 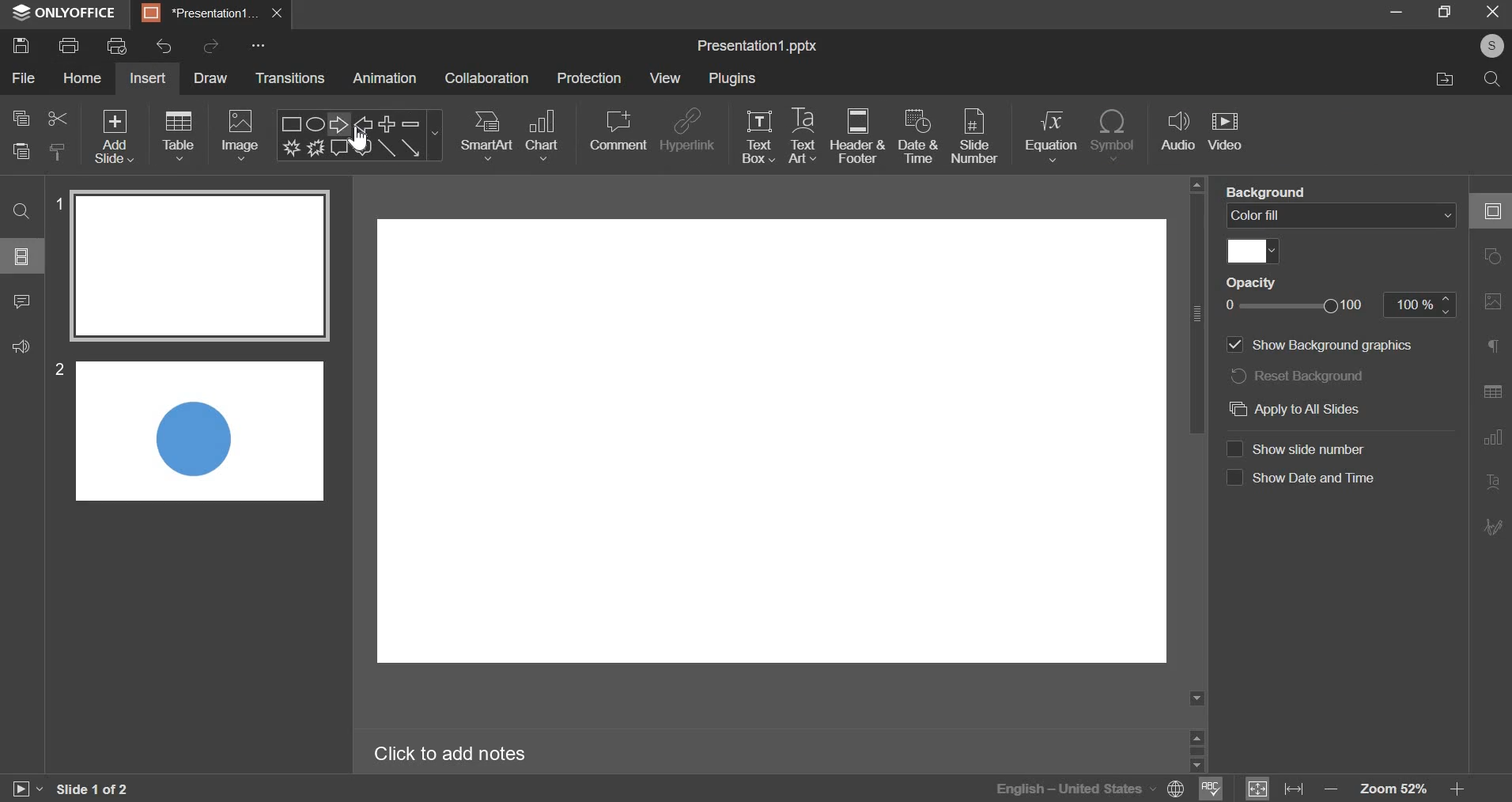 I want to click on fit to slide, so click(x=1259, y=789).